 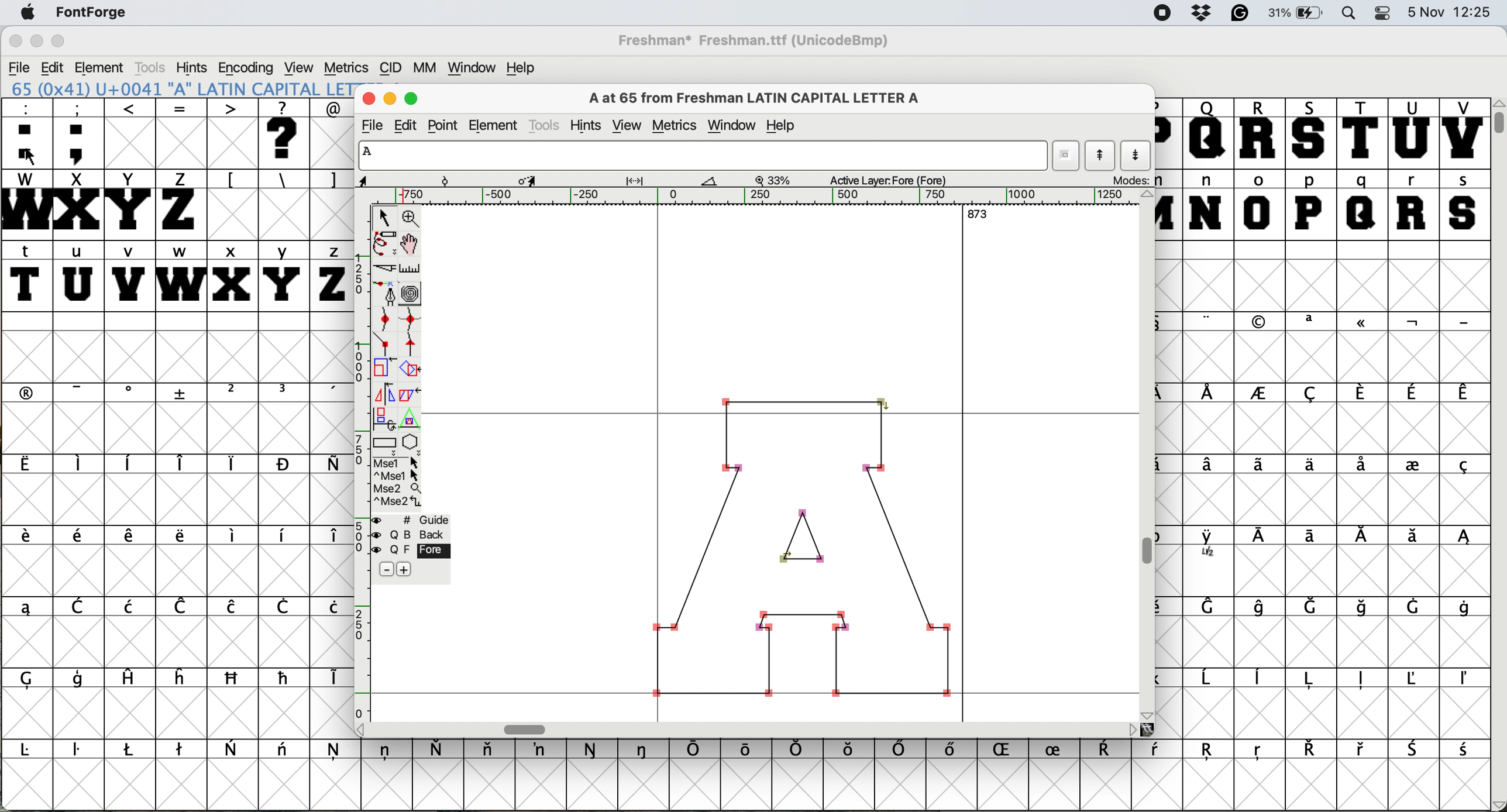 What do you see at coordinates (423, 67) in the screenshot?
I see `mm` at bounding box center [423, 67].